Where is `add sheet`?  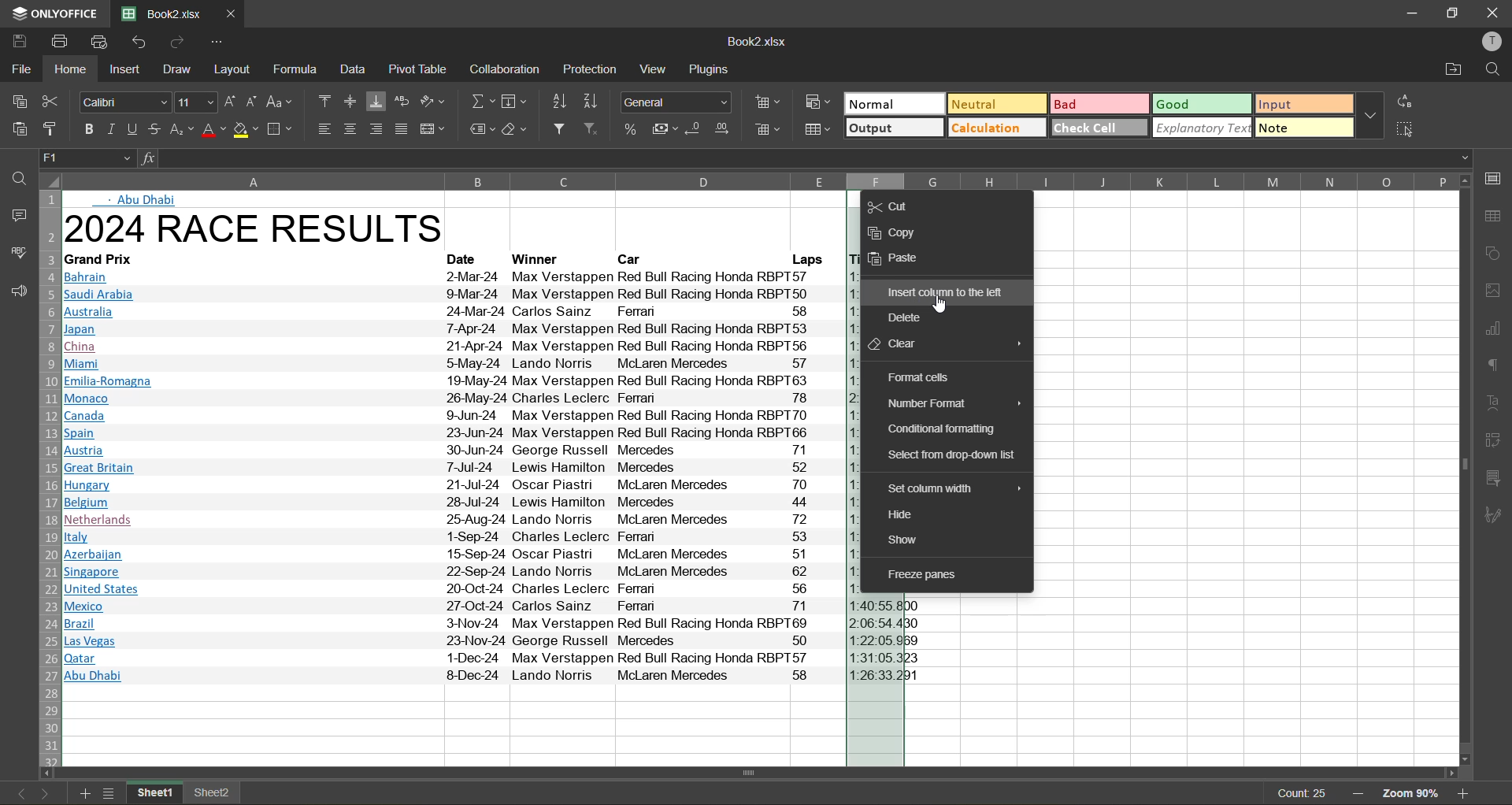 add sheet is located at coordinates (86, 793).